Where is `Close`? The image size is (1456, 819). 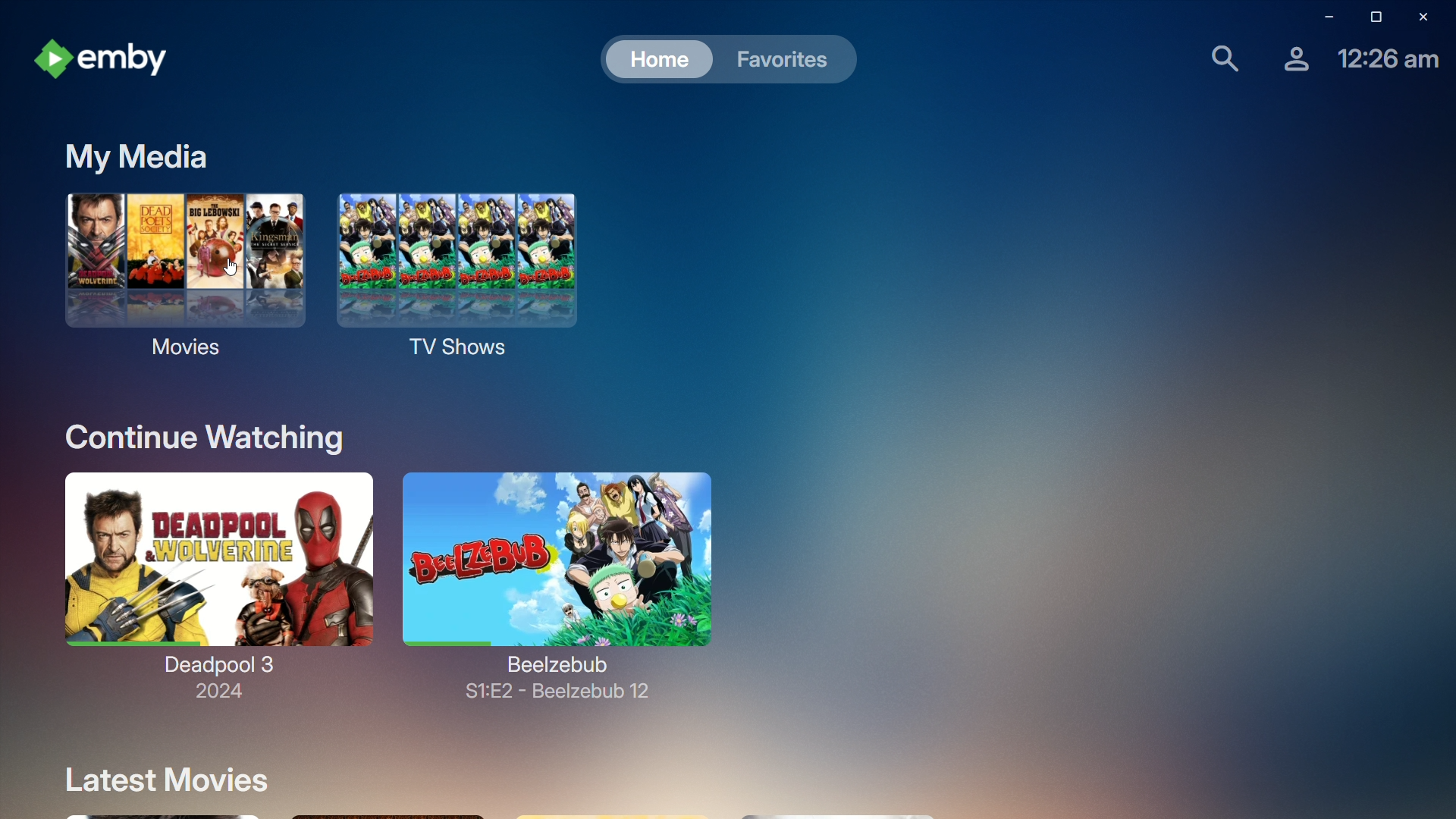 Close is located at coordinates (1429, 17).